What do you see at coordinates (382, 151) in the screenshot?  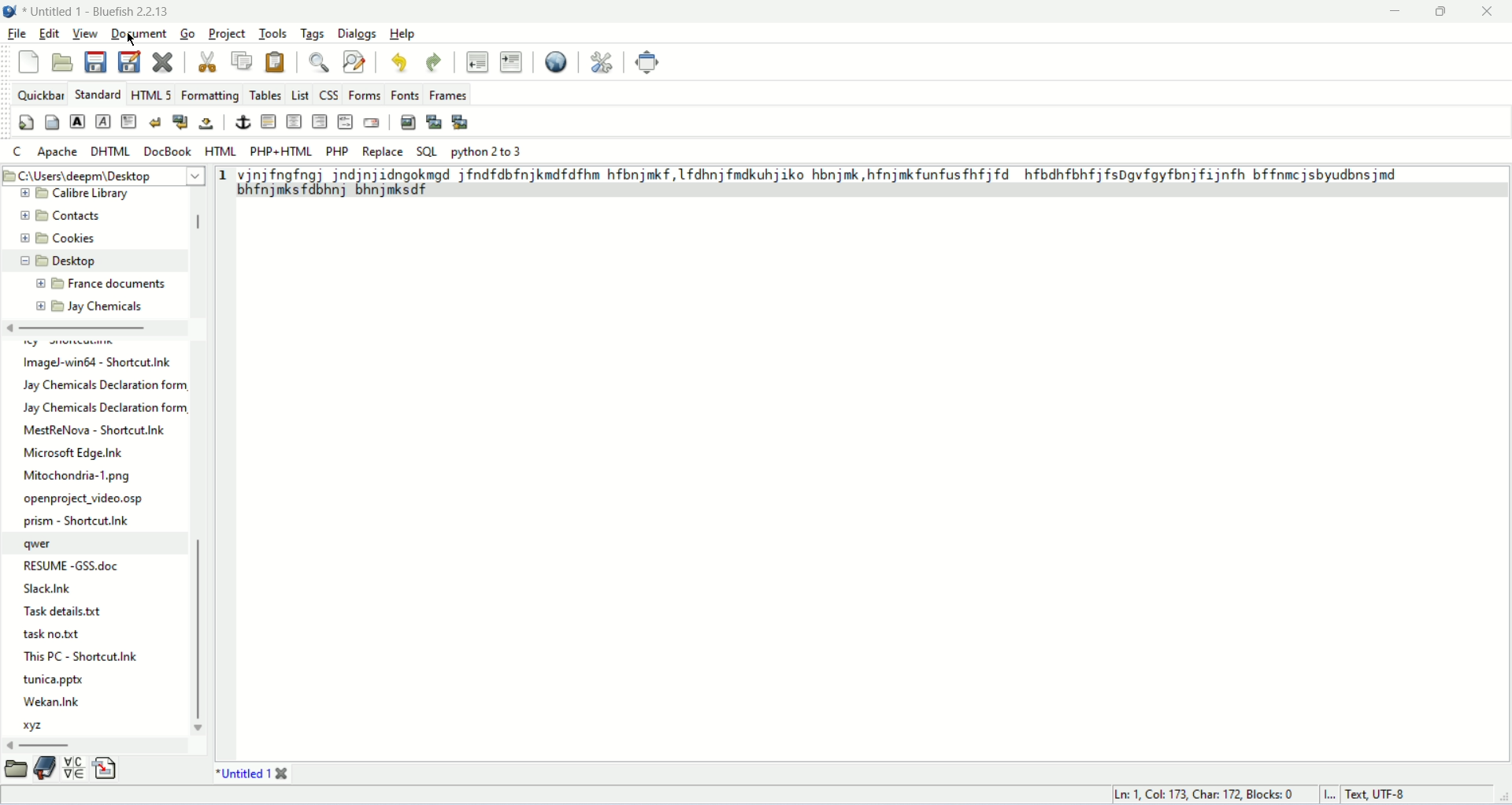 I see `Replace` at bounding box center [382, 151].